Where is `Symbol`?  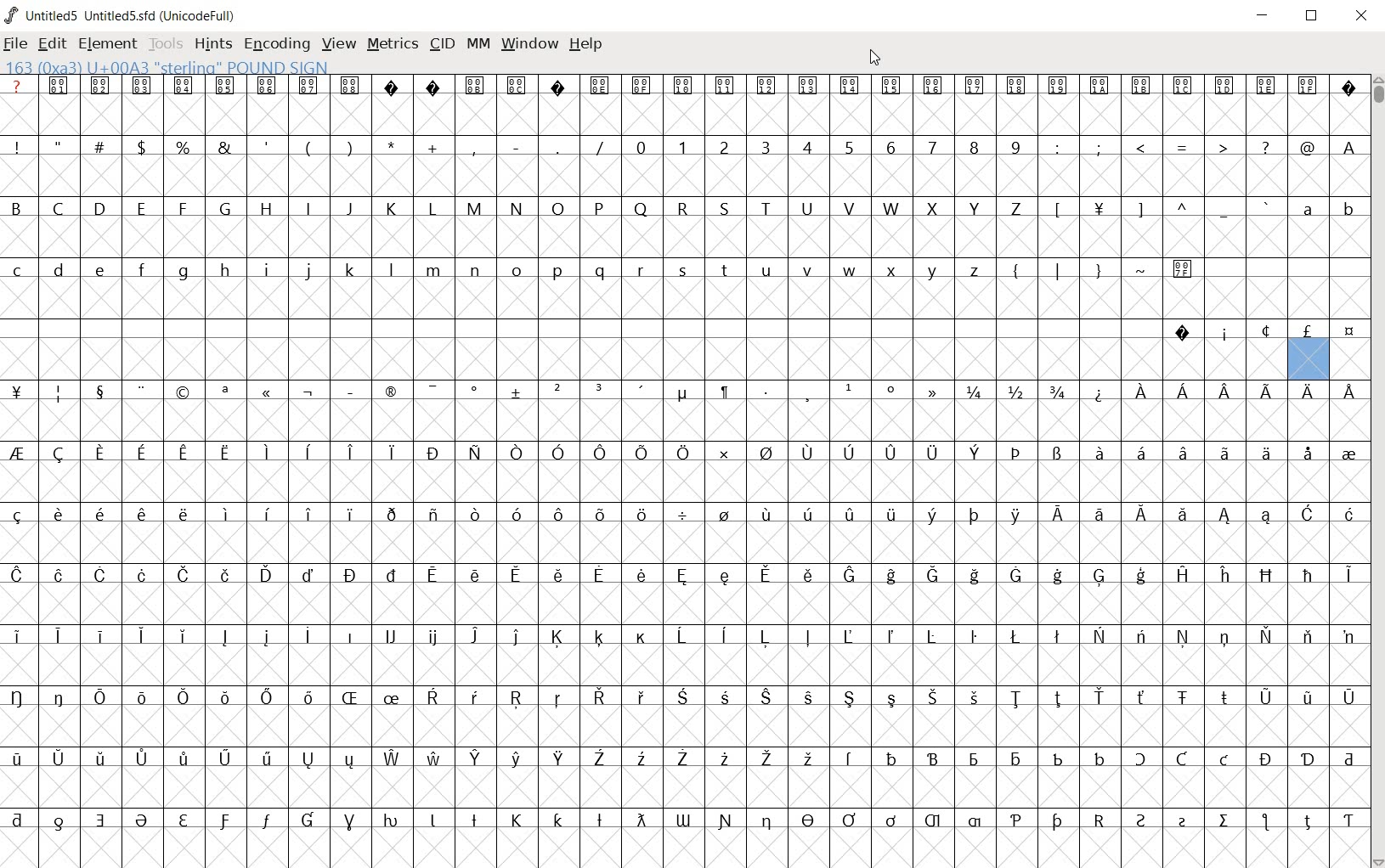 Symbol is located at coordinates (597, 392).